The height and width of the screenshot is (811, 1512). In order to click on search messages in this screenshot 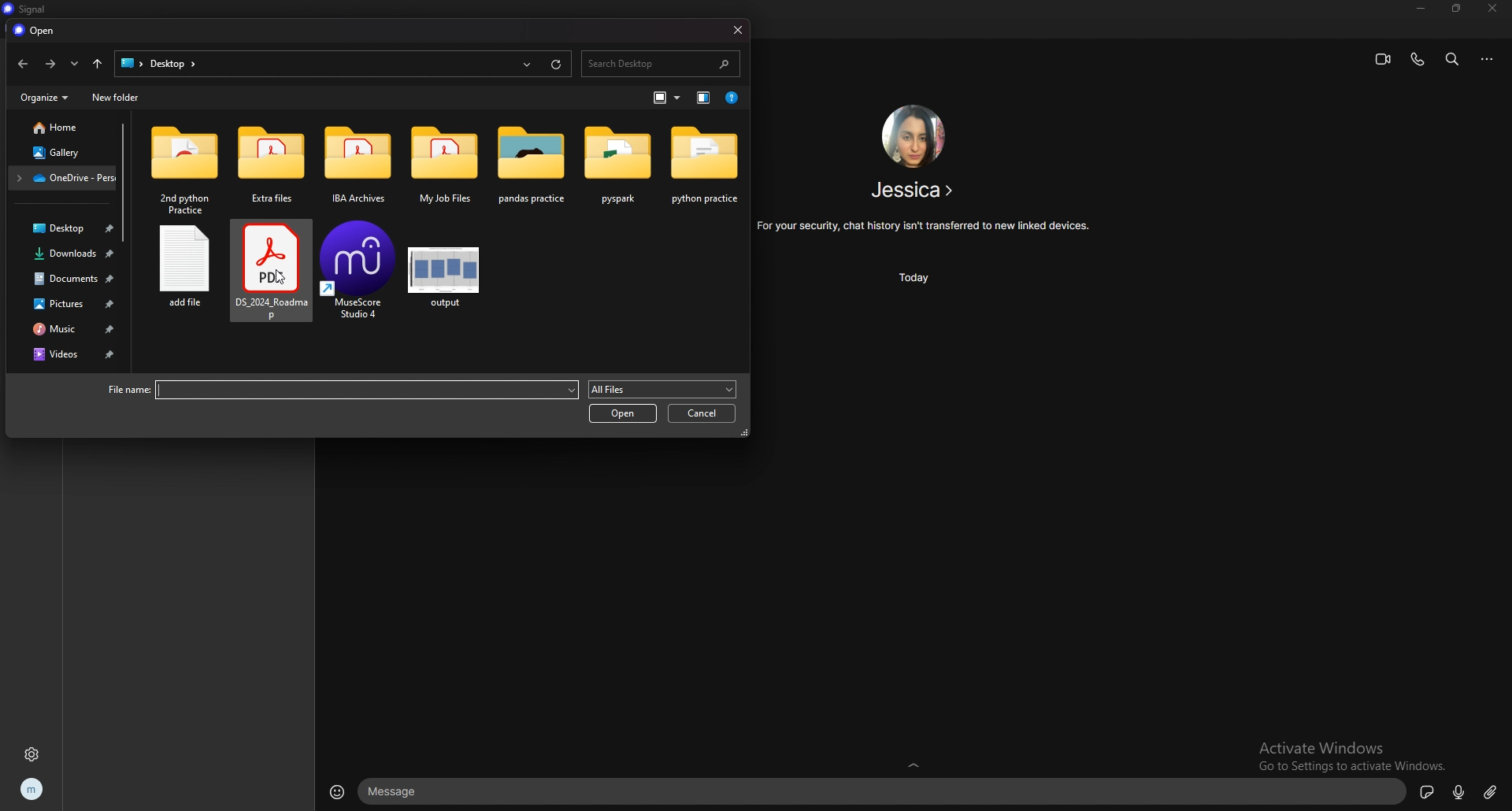, I will do `click(1452, 58)`.